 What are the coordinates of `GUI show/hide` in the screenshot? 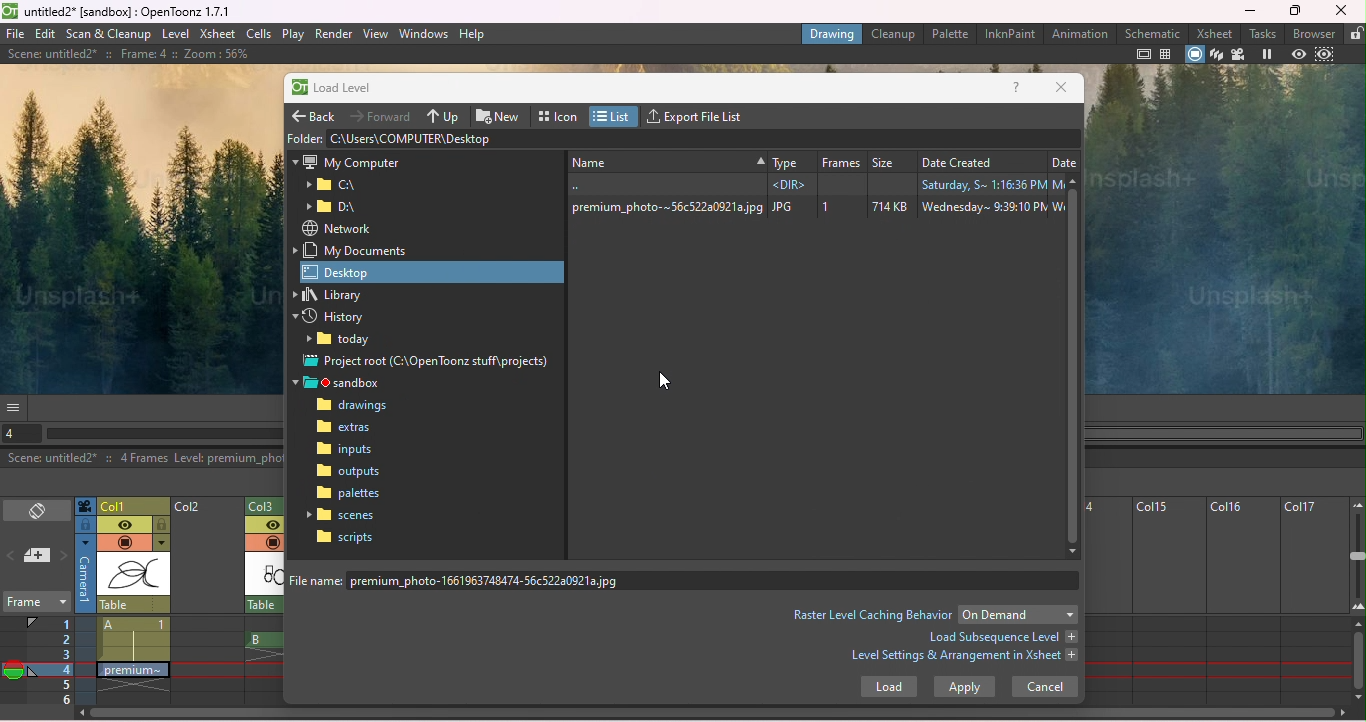 It's located at (15, 407).